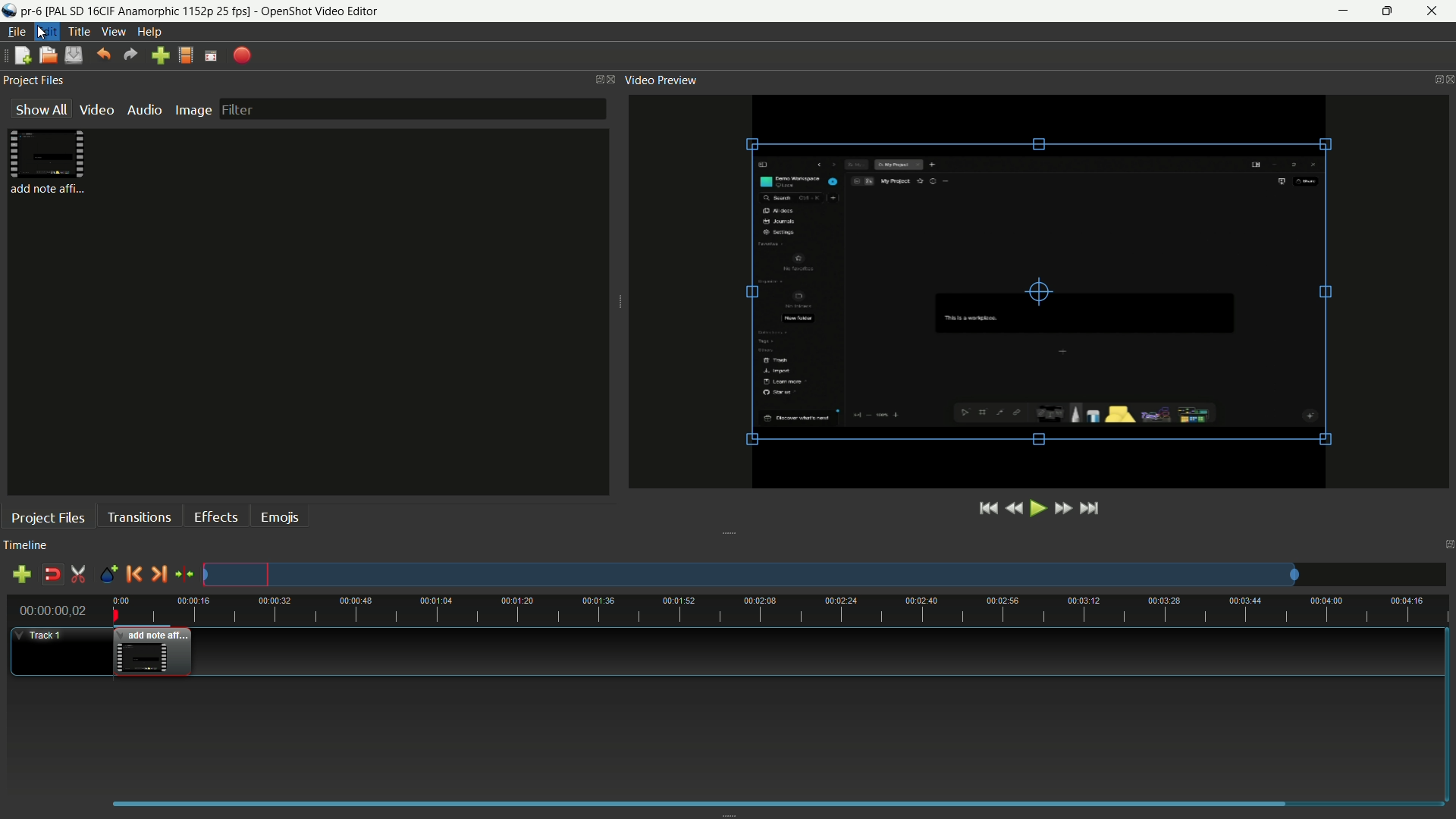 The width and height of the screenshot is (1456, 819). Describe the element at coordinates (280, 518) in the screenshot. I see `emojis` at that location.